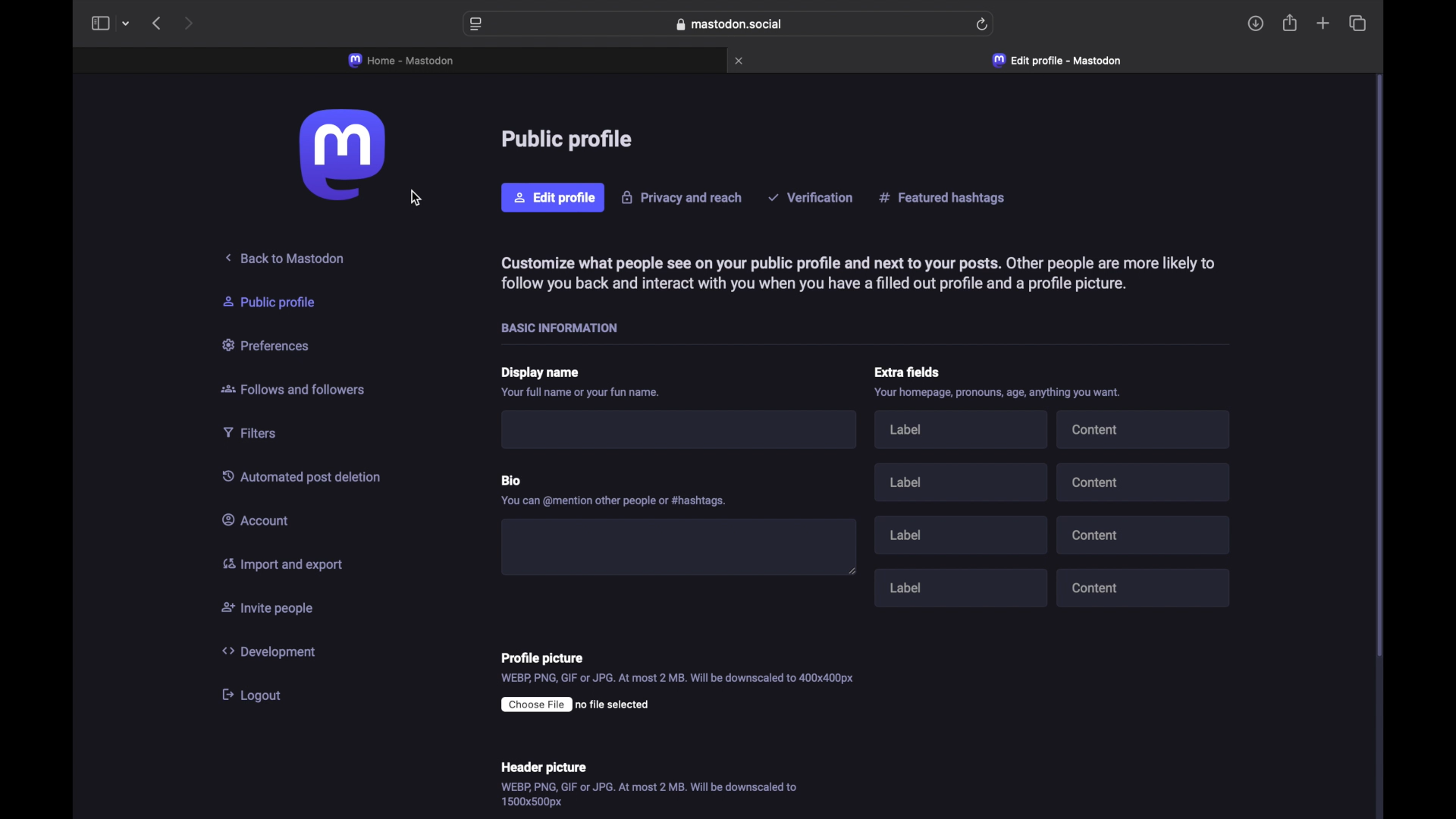 The width and height of the screenshot is (1456, 819). I want to click on info, so click(582, 393).